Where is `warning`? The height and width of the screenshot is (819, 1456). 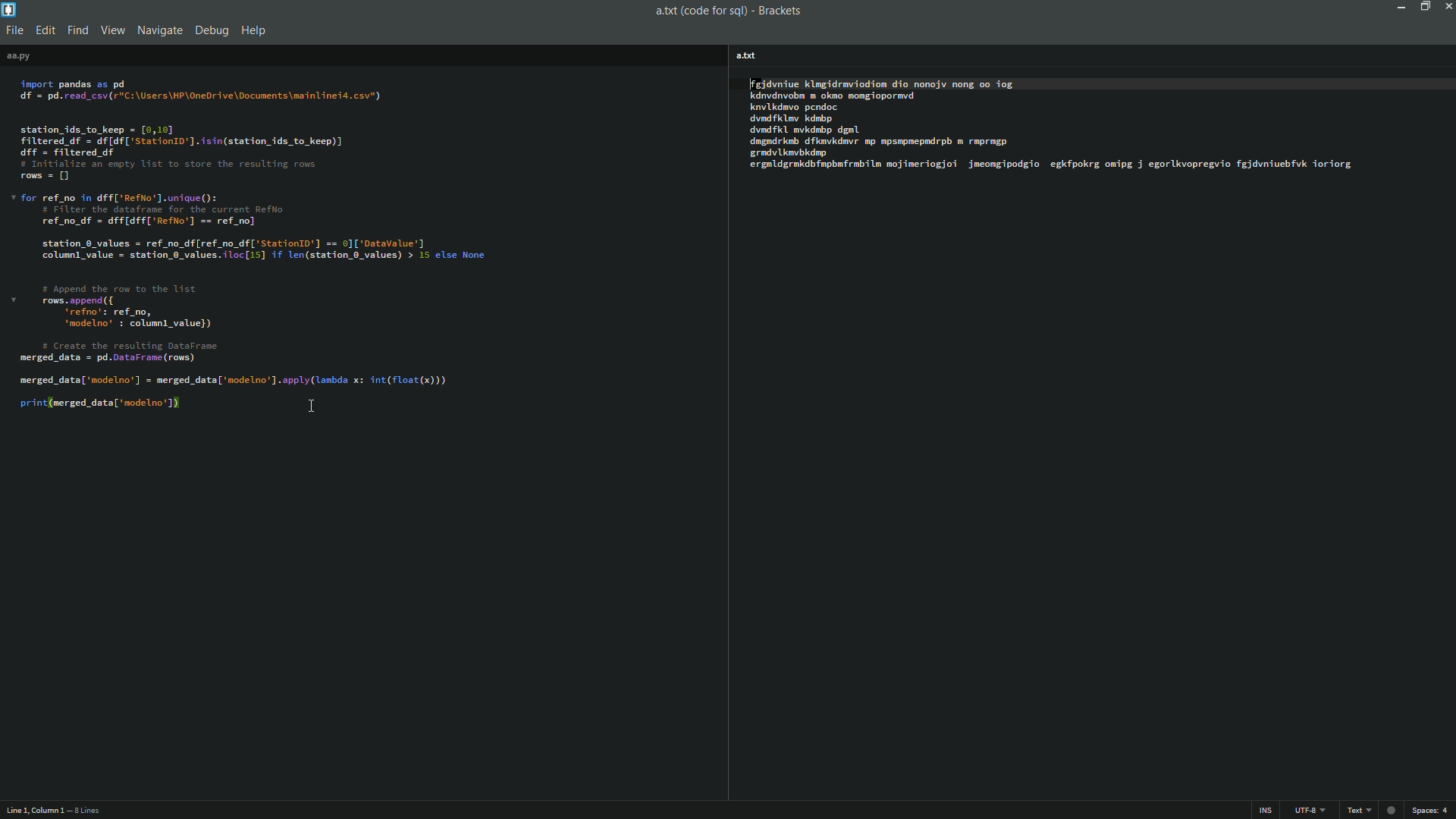 warning is located at coordinates (1393, 808).